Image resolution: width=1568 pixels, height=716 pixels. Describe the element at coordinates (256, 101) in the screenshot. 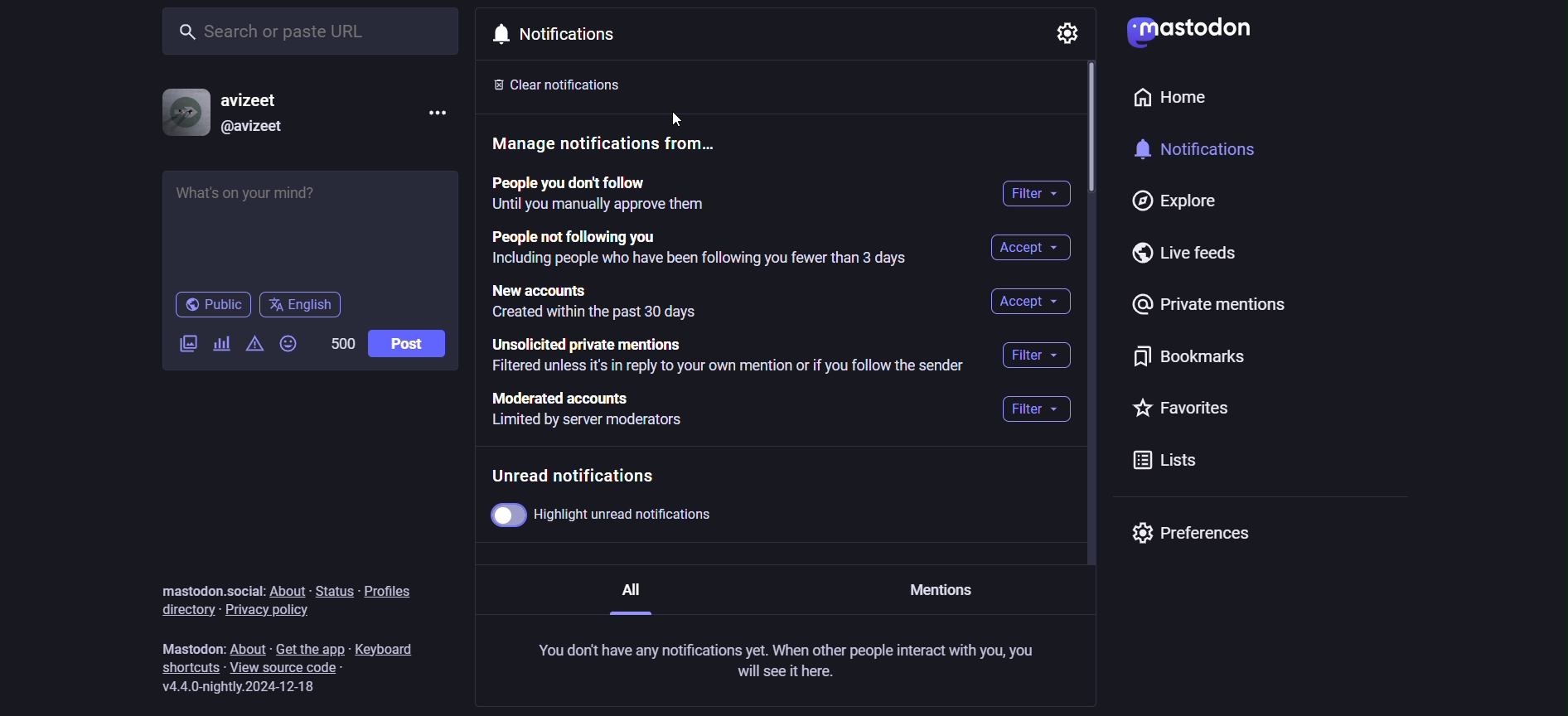

I see `avizeet` at that location.